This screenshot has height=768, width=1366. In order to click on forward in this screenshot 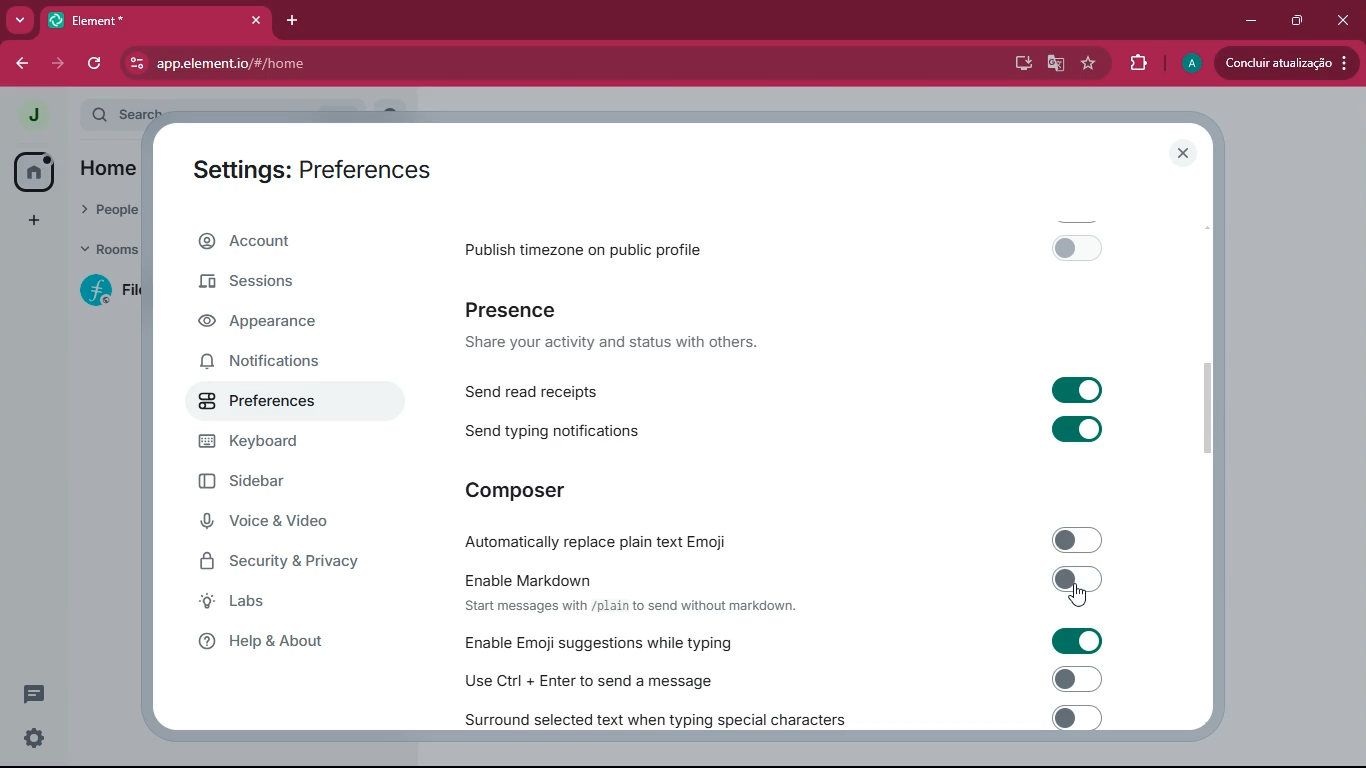, I will do `click(55, 64)`.